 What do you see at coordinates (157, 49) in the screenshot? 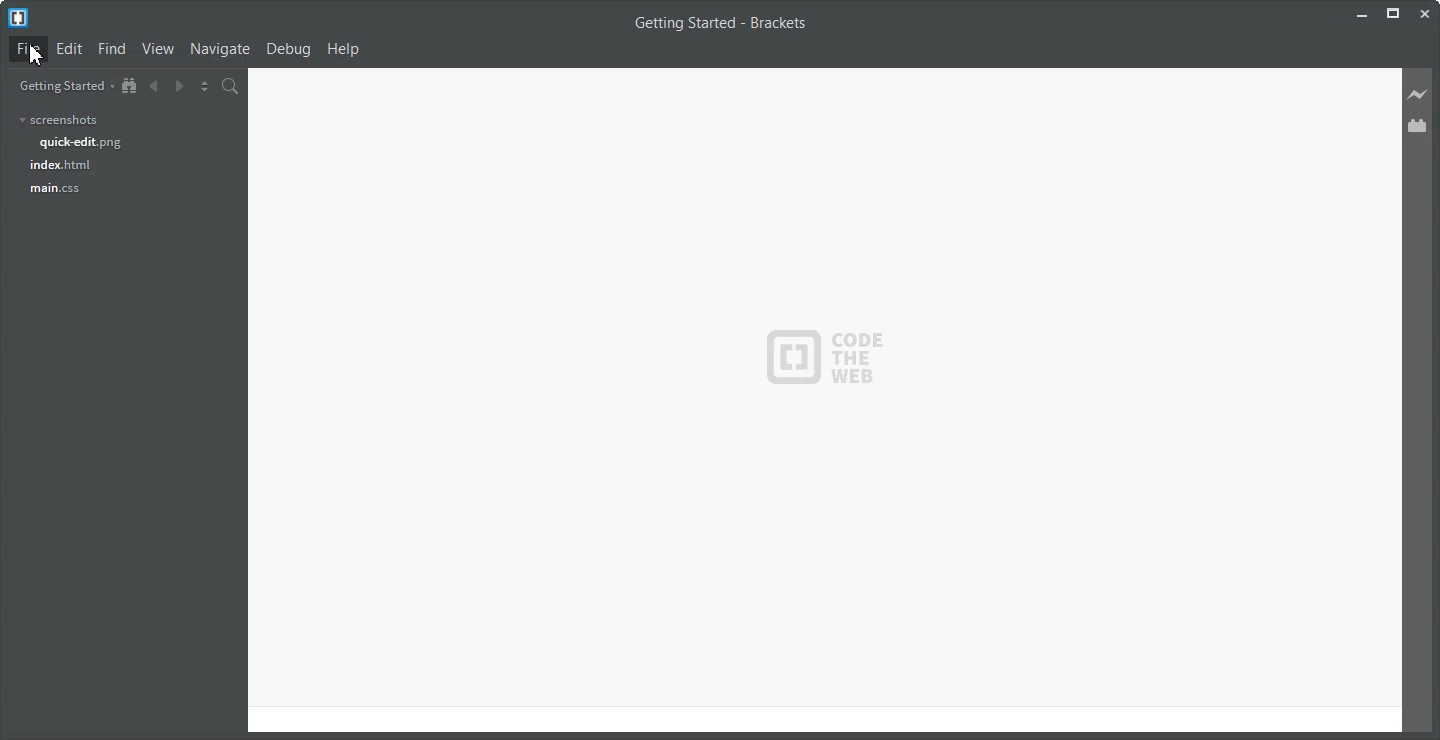
I see `View` at bounding box center [157, 49].